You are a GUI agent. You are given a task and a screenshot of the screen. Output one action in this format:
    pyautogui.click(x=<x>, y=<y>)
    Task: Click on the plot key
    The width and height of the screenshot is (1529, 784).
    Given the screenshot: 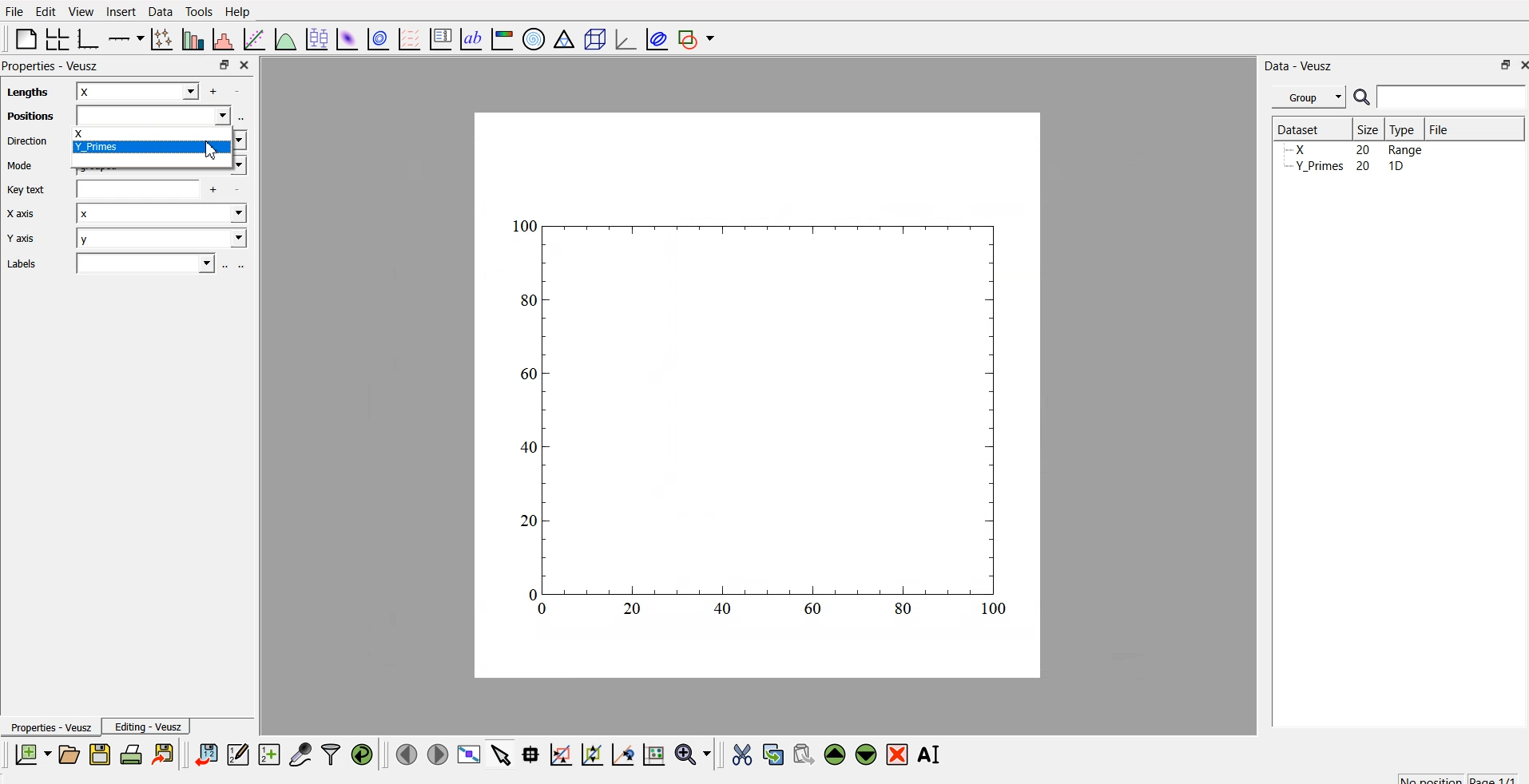 What is the action you would take?
    pyautogui.click(x=441, y=37)
    